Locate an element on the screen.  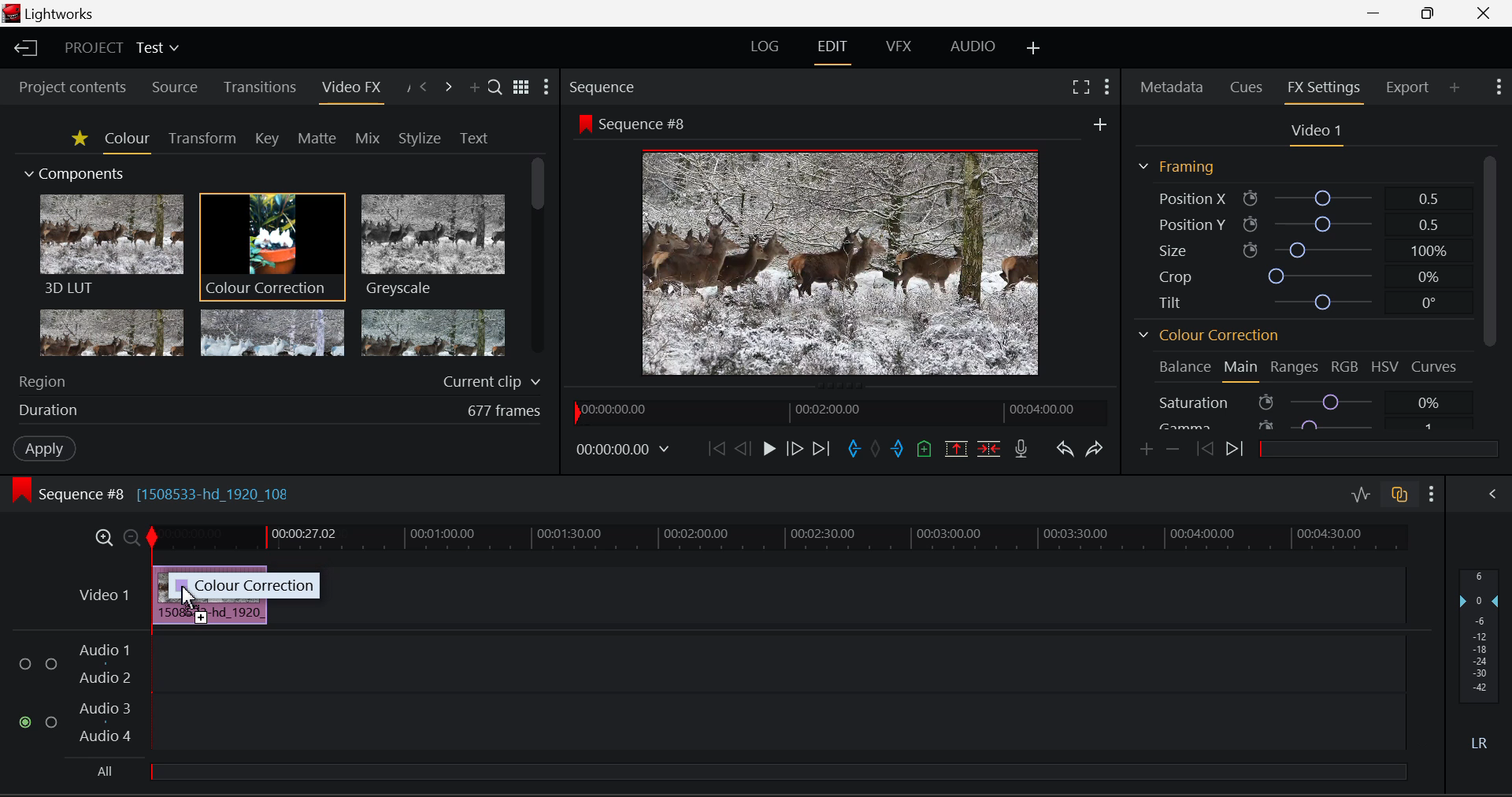
Audio Input Checkbox is located at coordinates (24, 665).